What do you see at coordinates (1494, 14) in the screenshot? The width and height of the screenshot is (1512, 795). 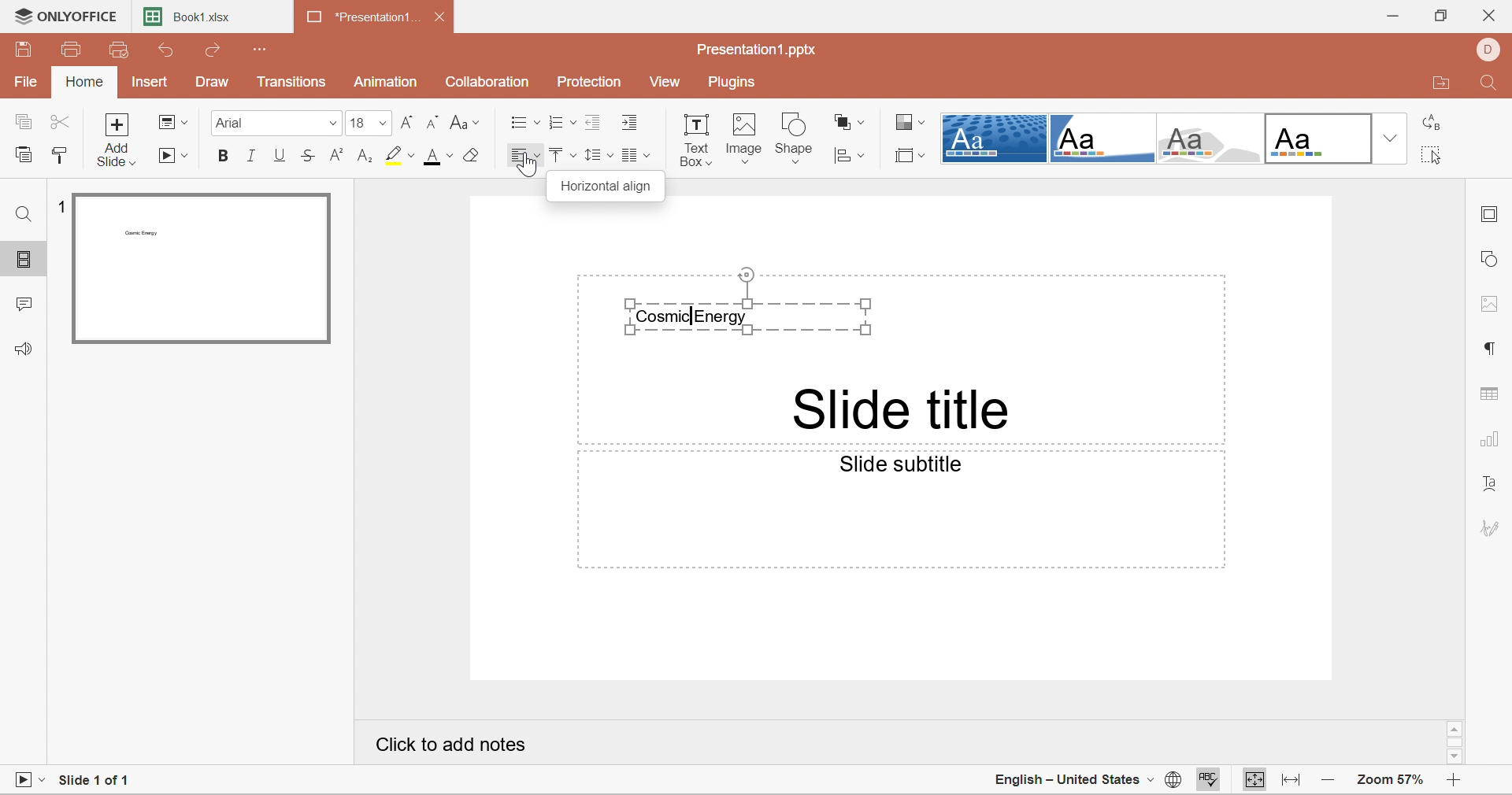 I see `Close` at bounding box center [1494, 14].